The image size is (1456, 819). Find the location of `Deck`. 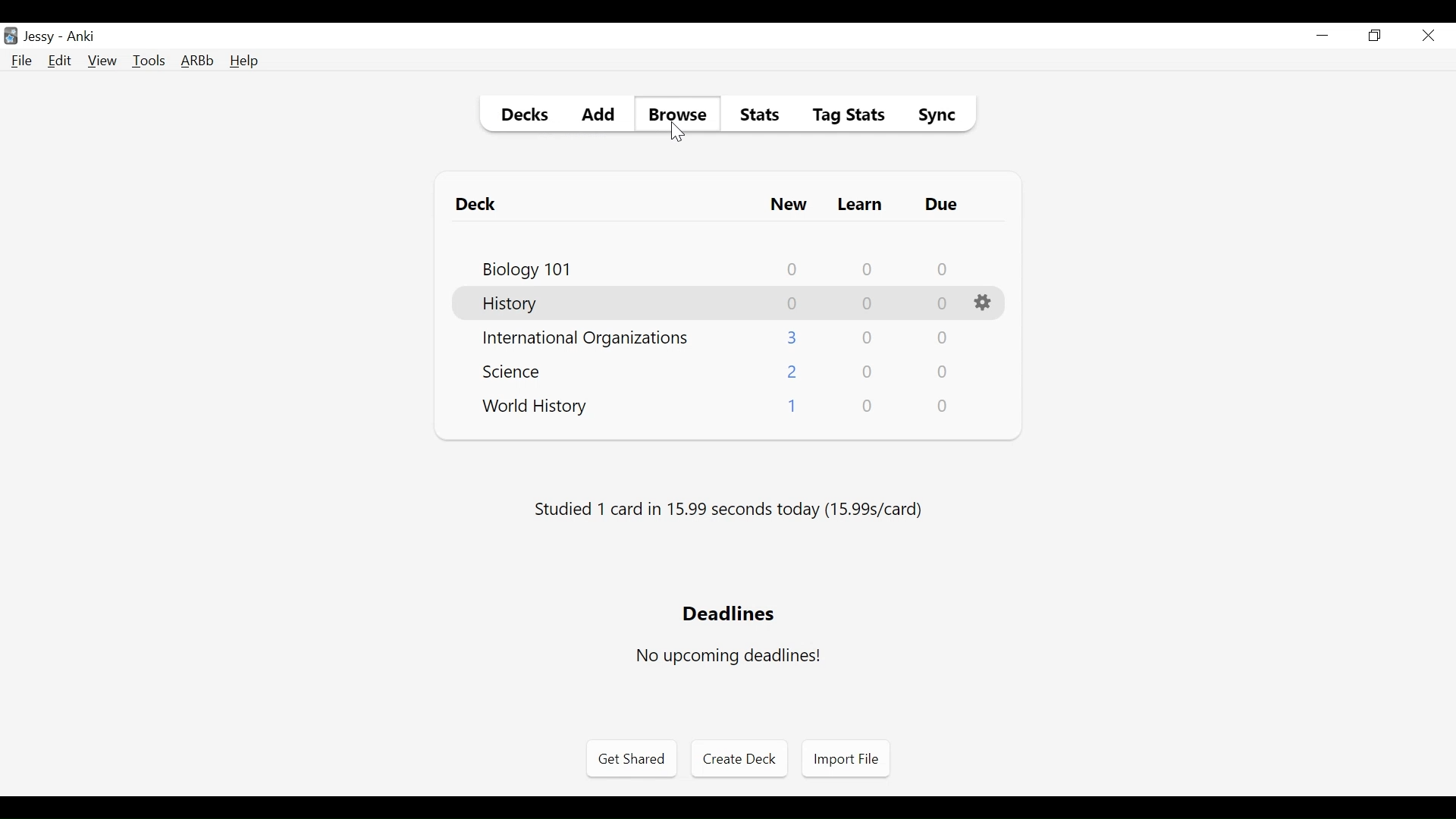

Deck is located at coordinates (474, 203).